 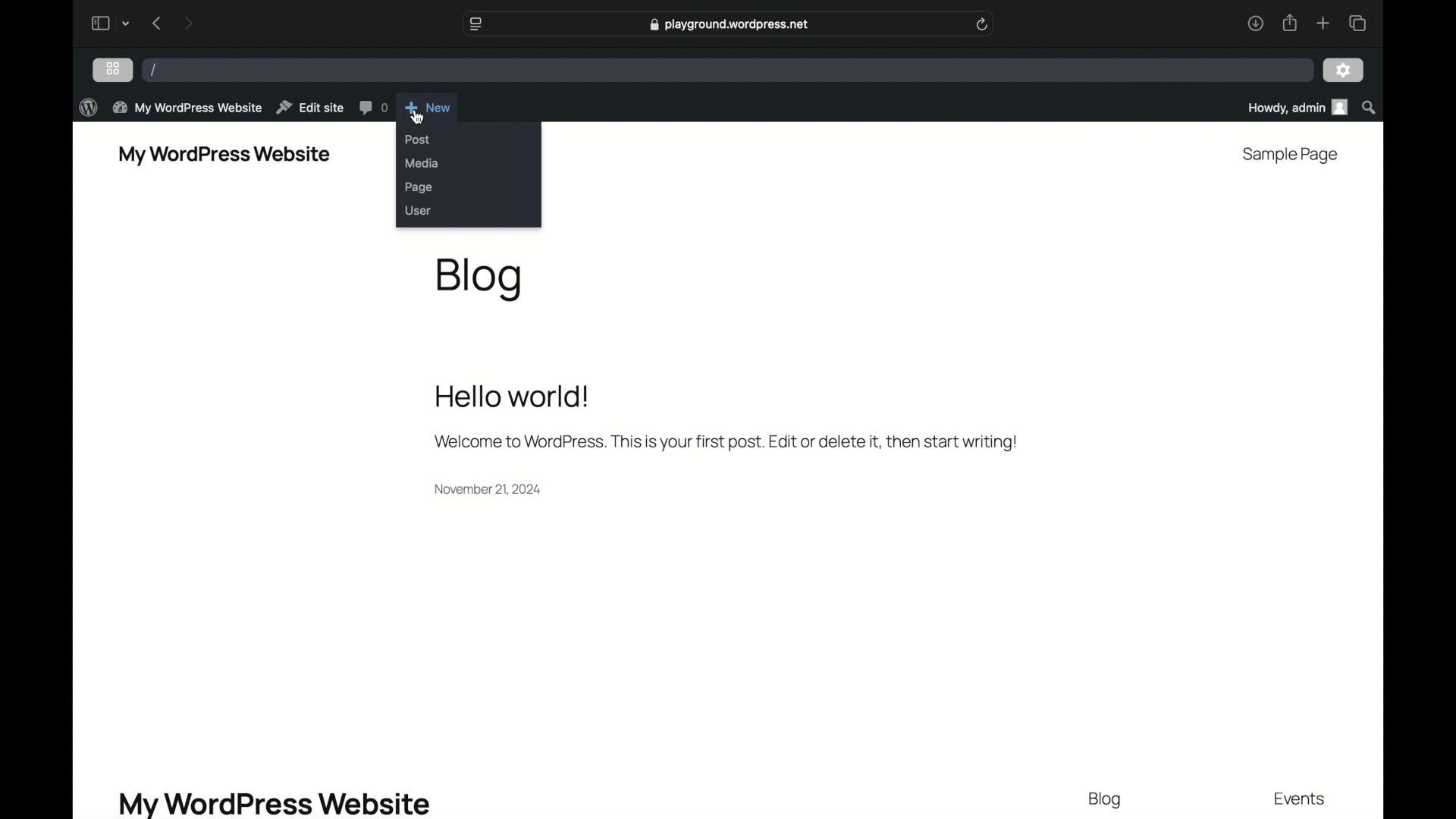 What do you see at coordinates (157, 23) in the screenshot?
I see `previous page` at bounding box center [157, 23].